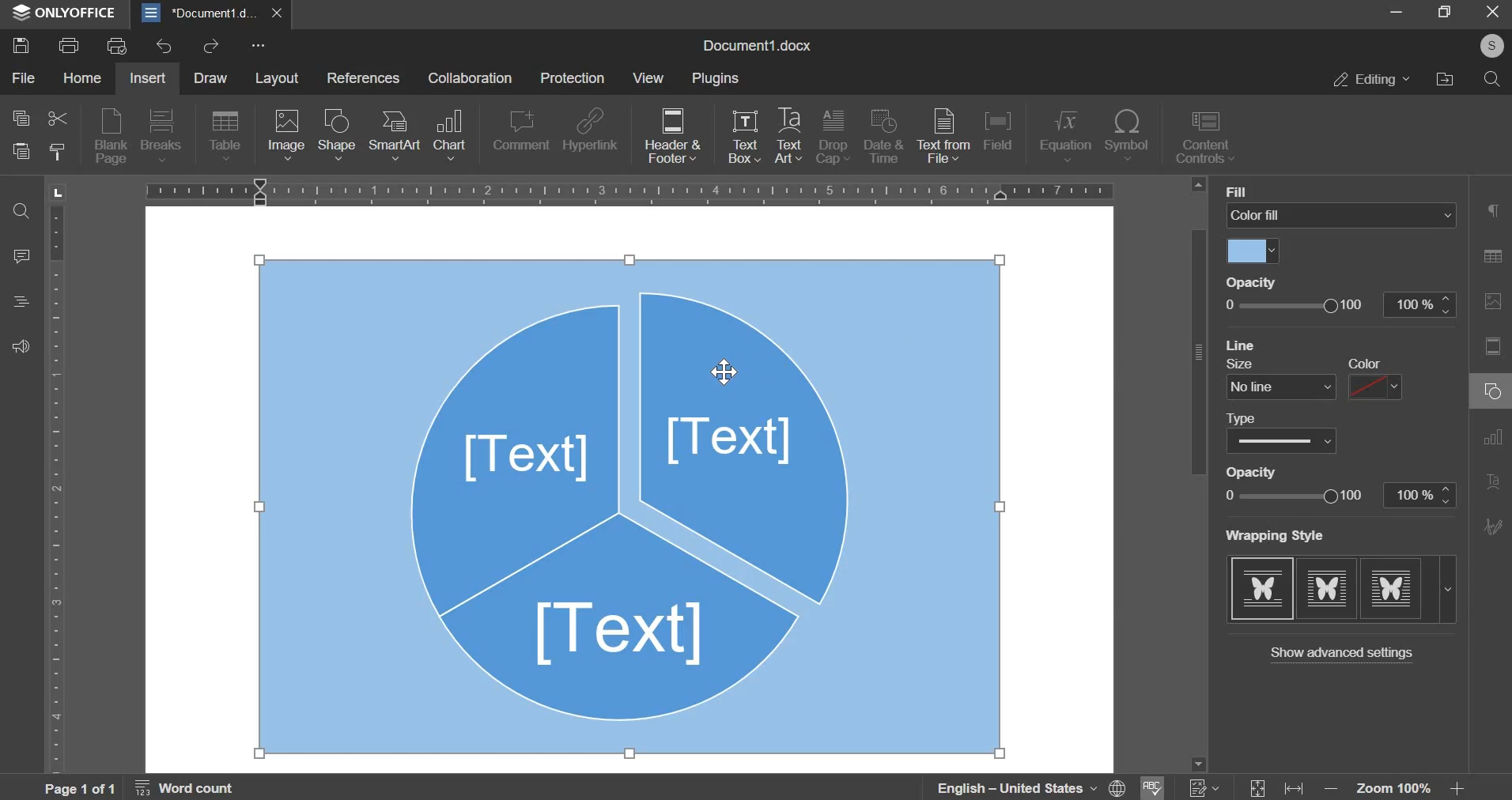  What do you see at coordinates (25, 213) in the screenshot?
I see `Search and replace tool` at bounding box center [25, 213].